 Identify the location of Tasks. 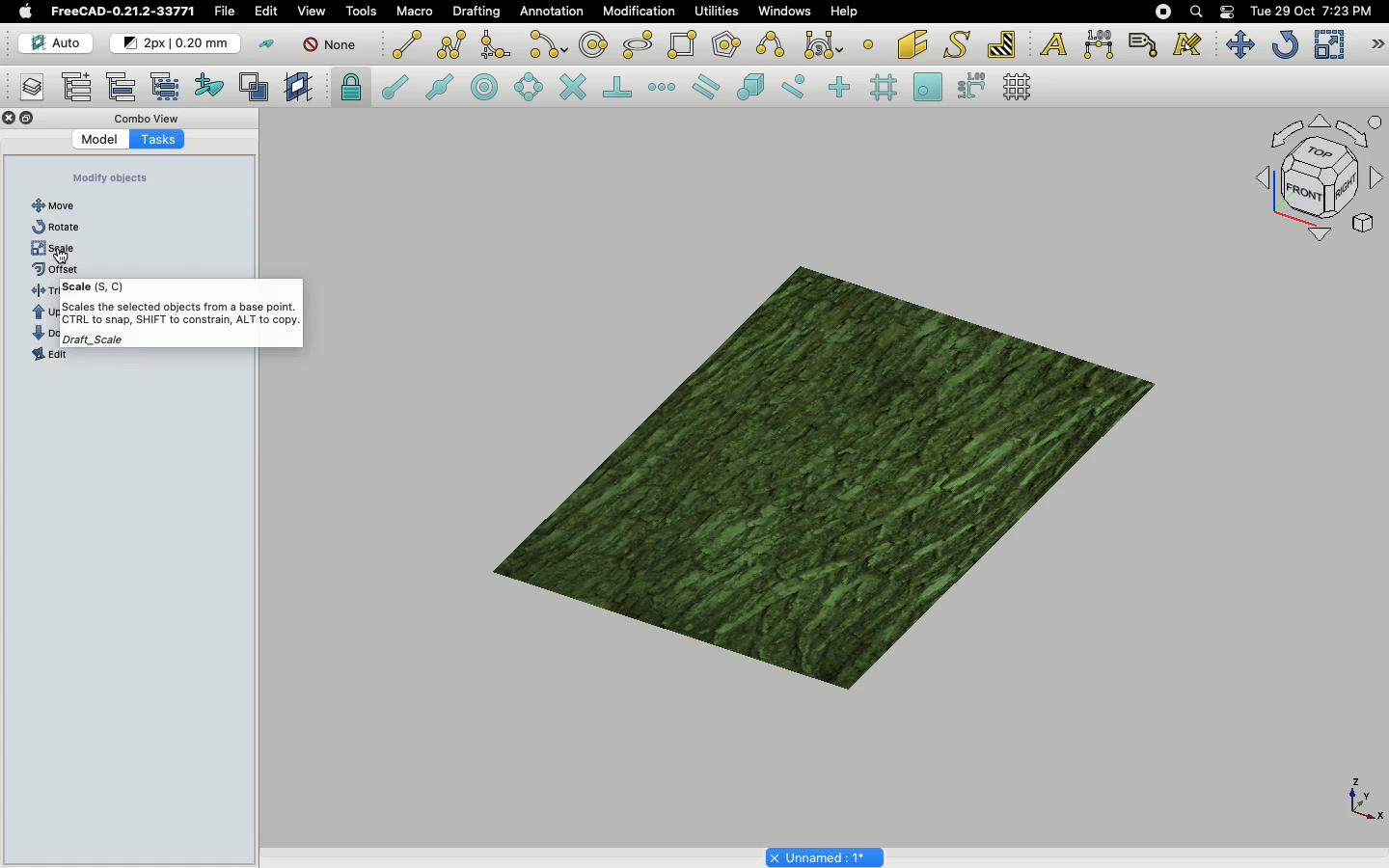
(156, 138).